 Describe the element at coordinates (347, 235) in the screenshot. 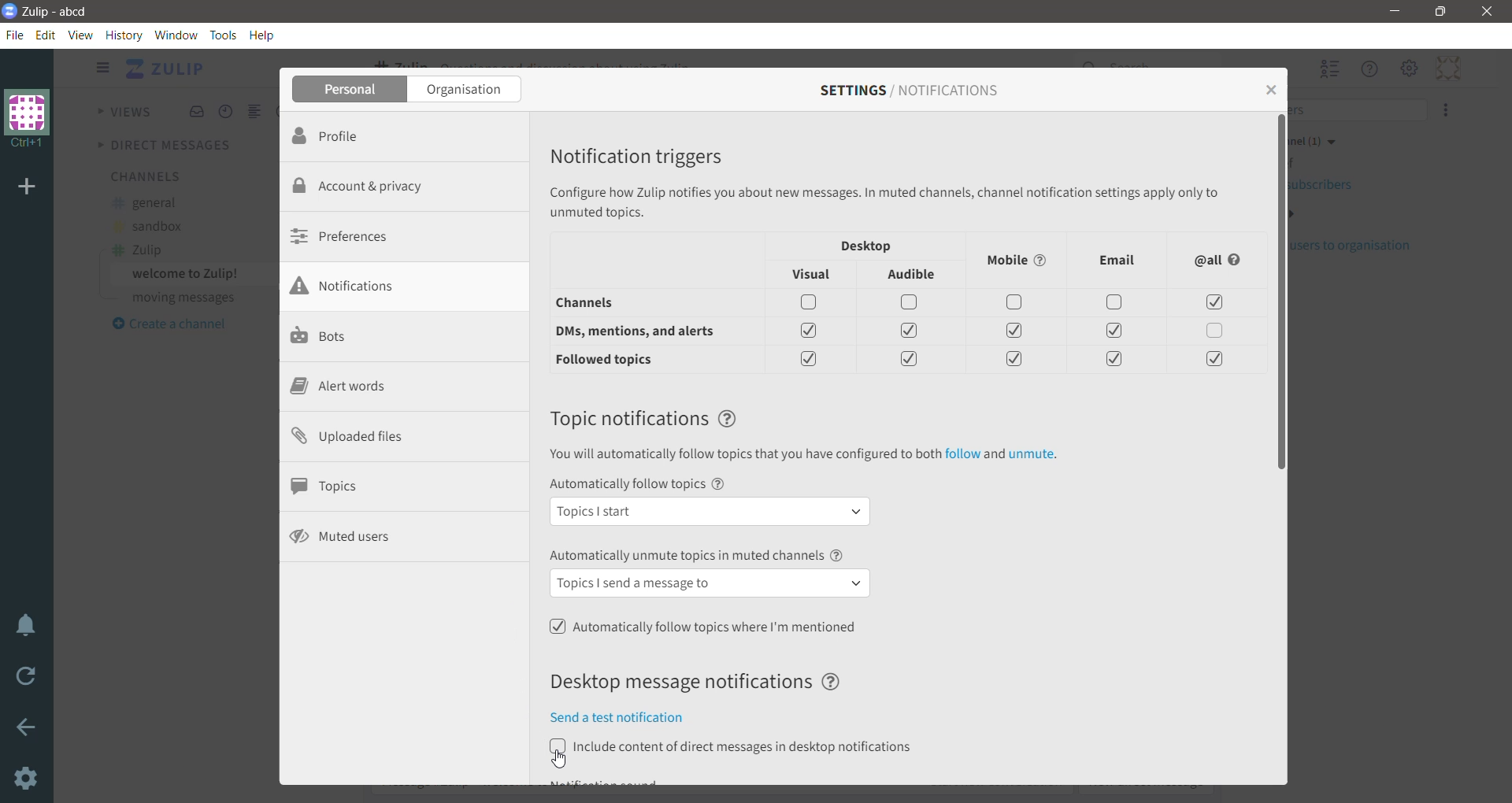

I see `Preferences` at that location.